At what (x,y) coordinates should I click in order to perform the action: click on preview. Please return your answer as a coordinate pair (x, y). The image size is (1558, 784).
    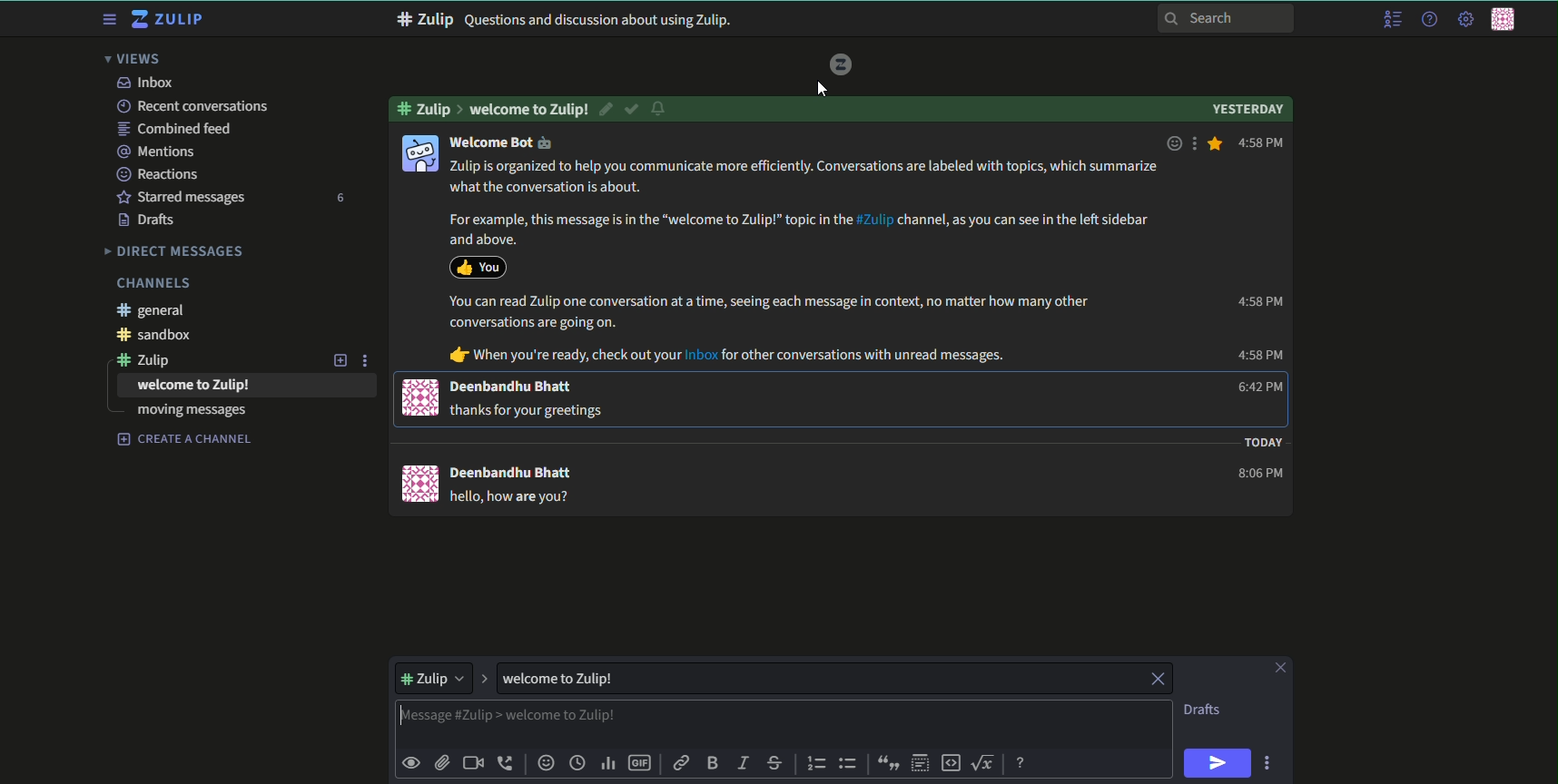
    Looking at the image, I should click on (412, 761).